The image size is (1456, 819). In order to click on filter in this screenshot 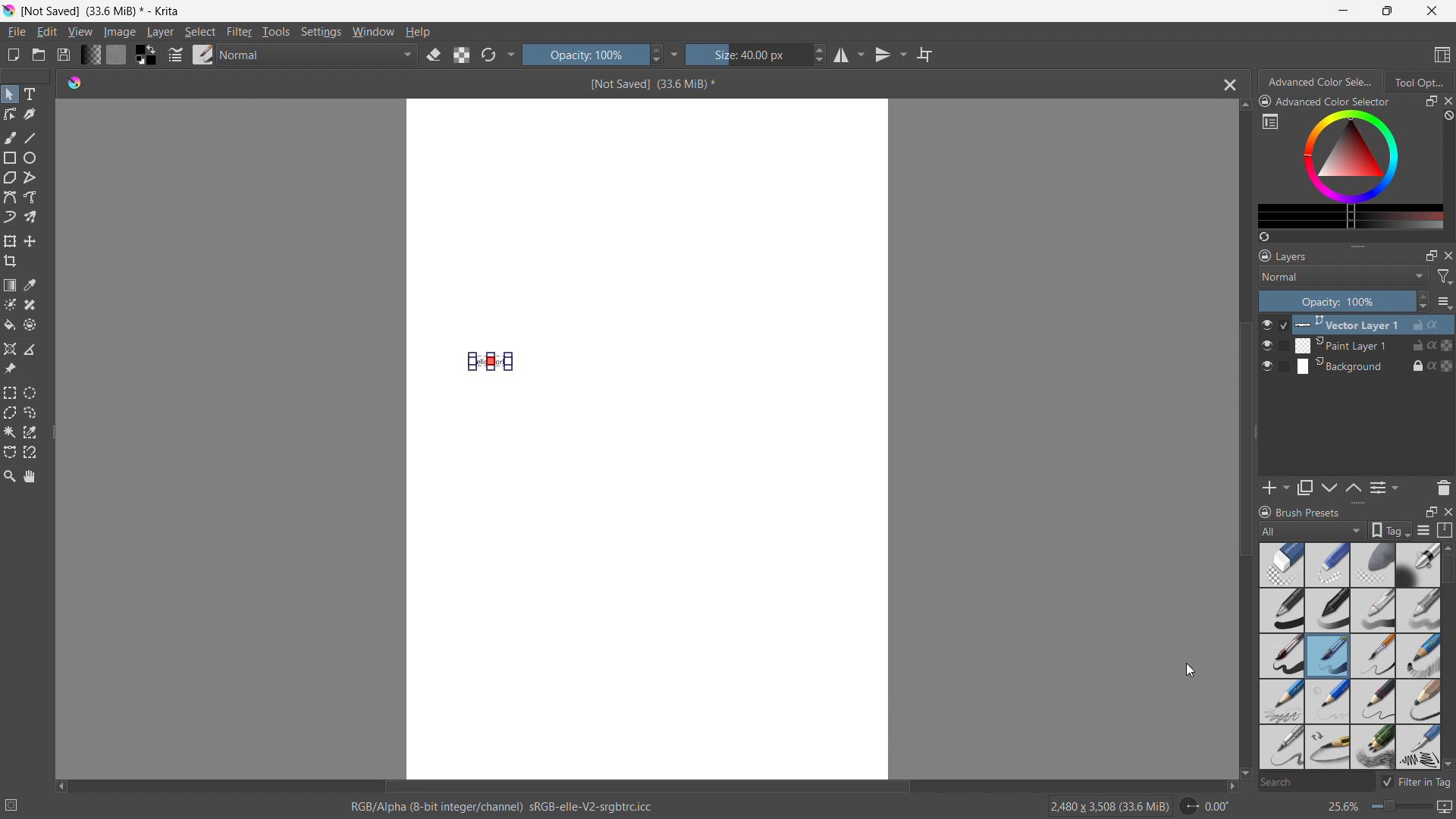, I will do `click(1445, 277)`.